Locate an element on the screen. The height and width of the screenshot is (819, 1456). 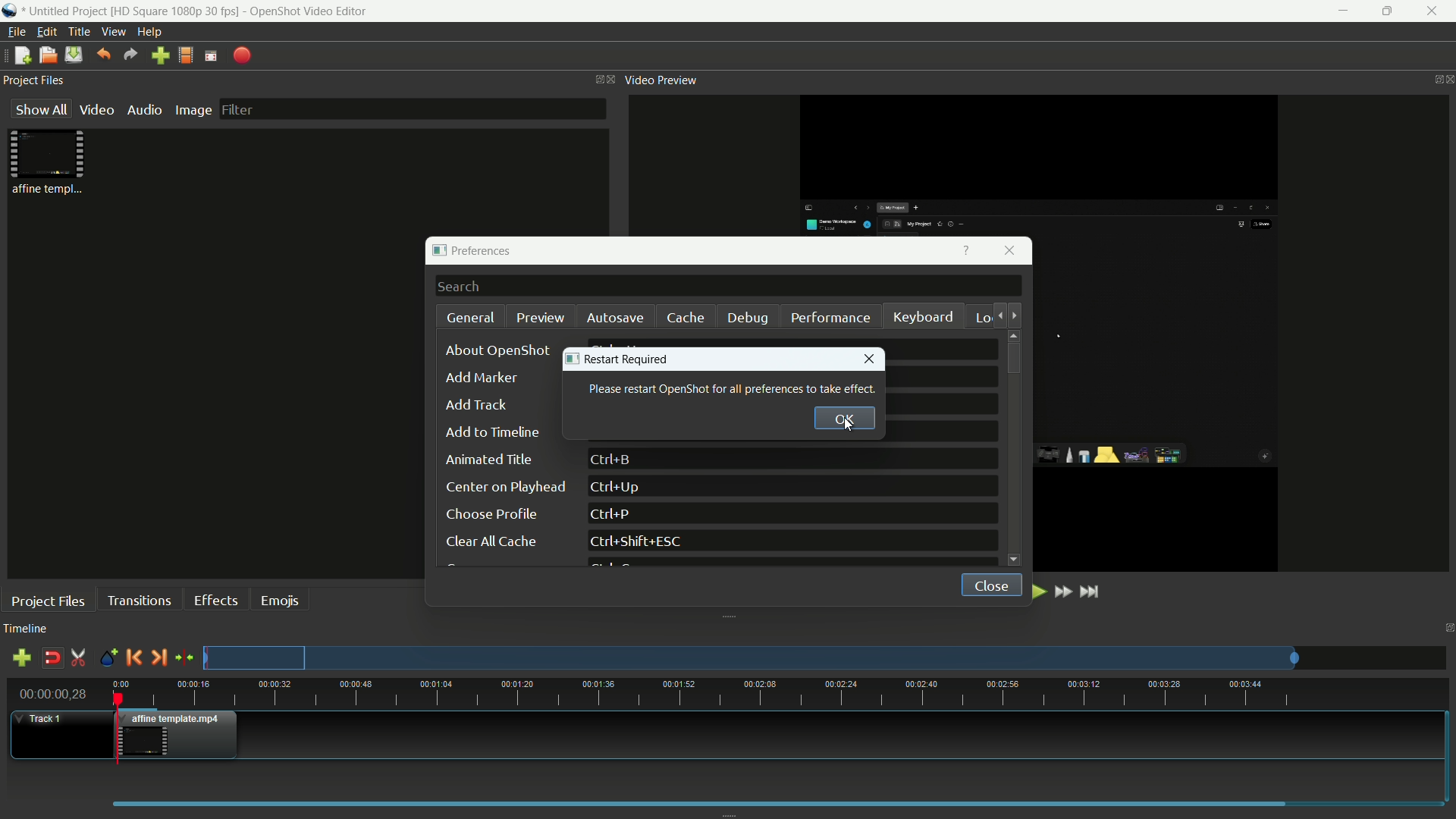
get help is located at coordinates (966, 252).